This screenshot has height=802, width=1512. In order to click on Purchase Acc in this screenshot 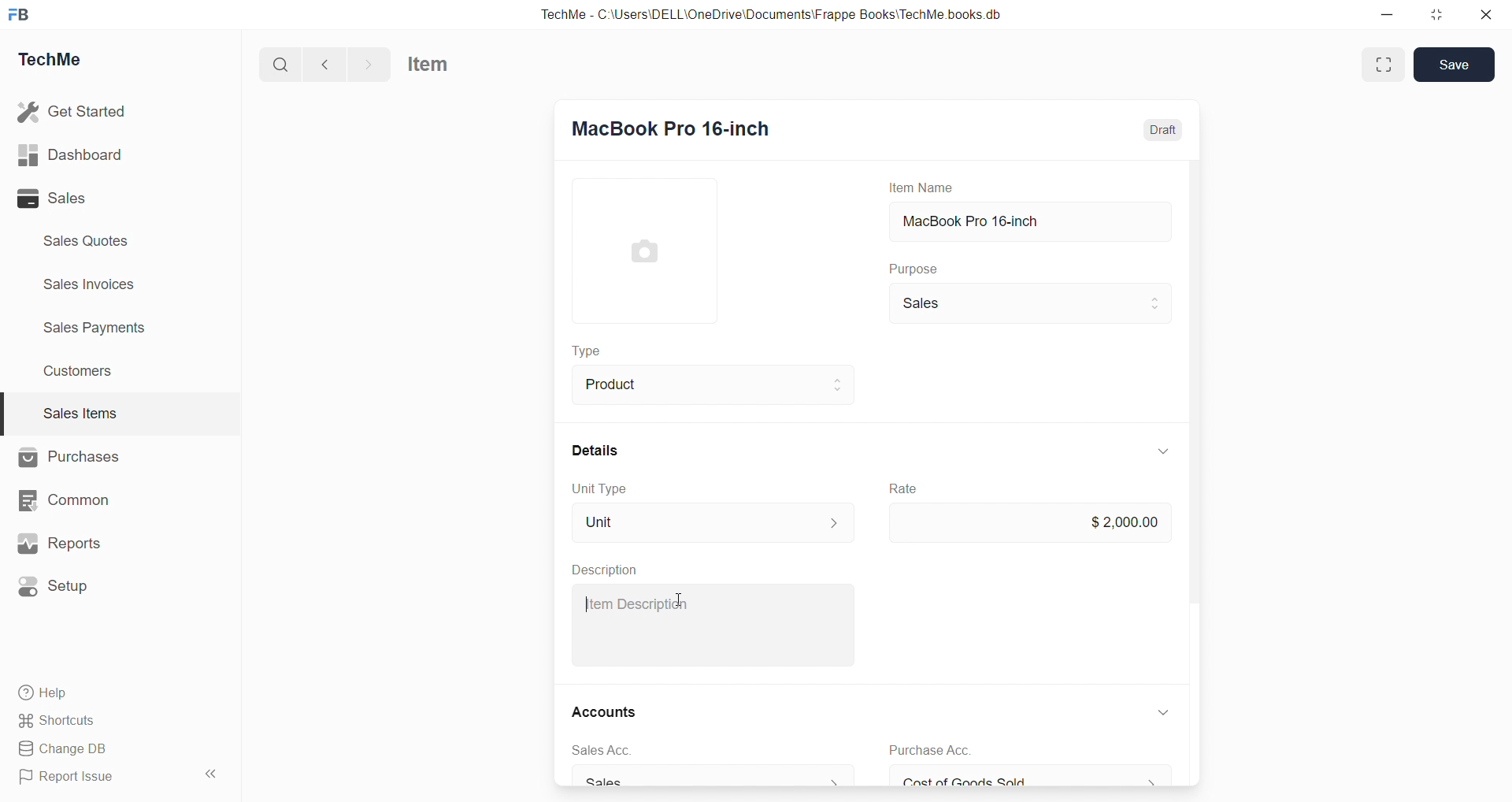, I will do `click(930, 751)`.